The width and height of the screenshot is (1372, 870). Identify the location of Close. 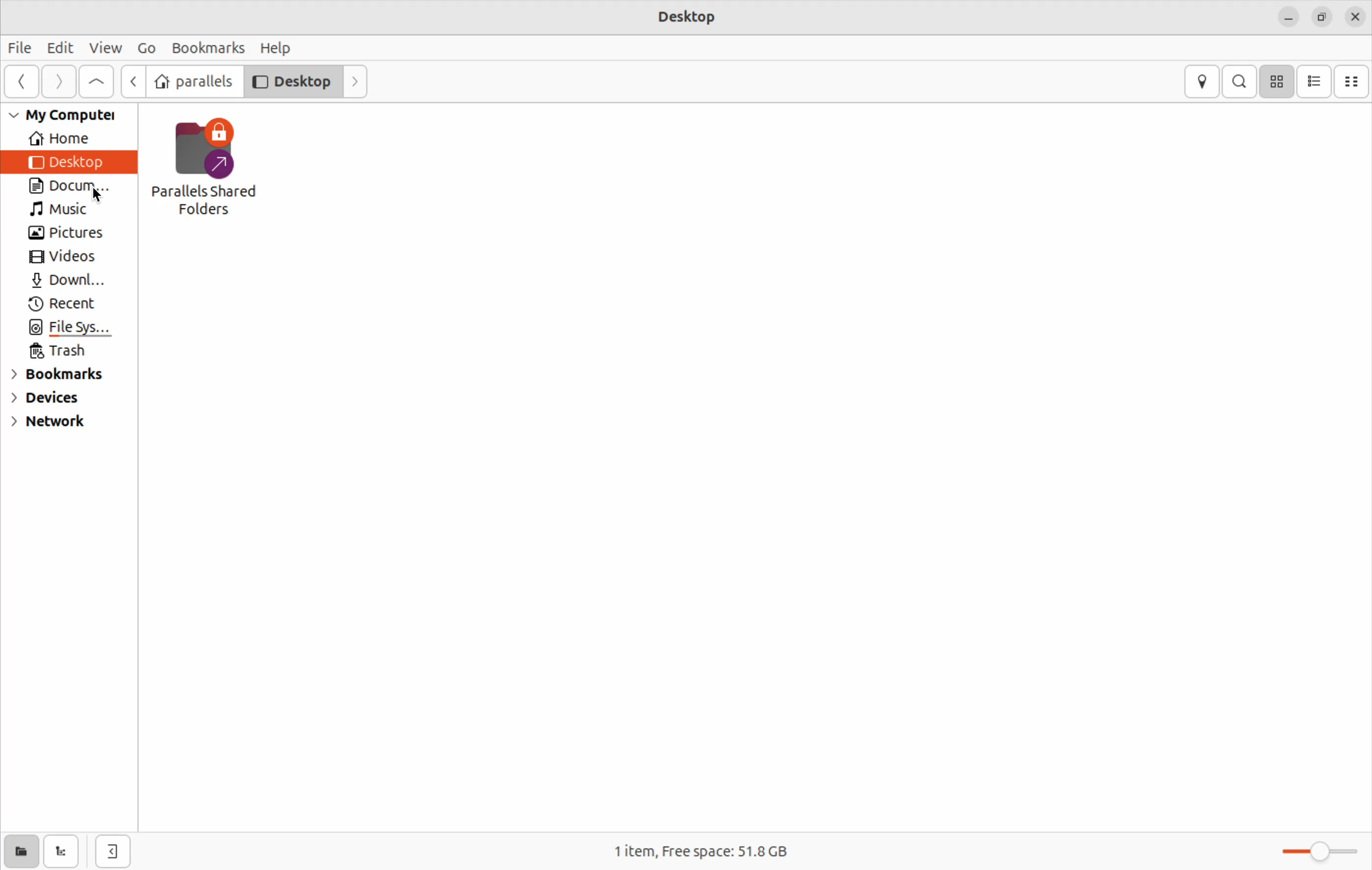
(1357, 15).